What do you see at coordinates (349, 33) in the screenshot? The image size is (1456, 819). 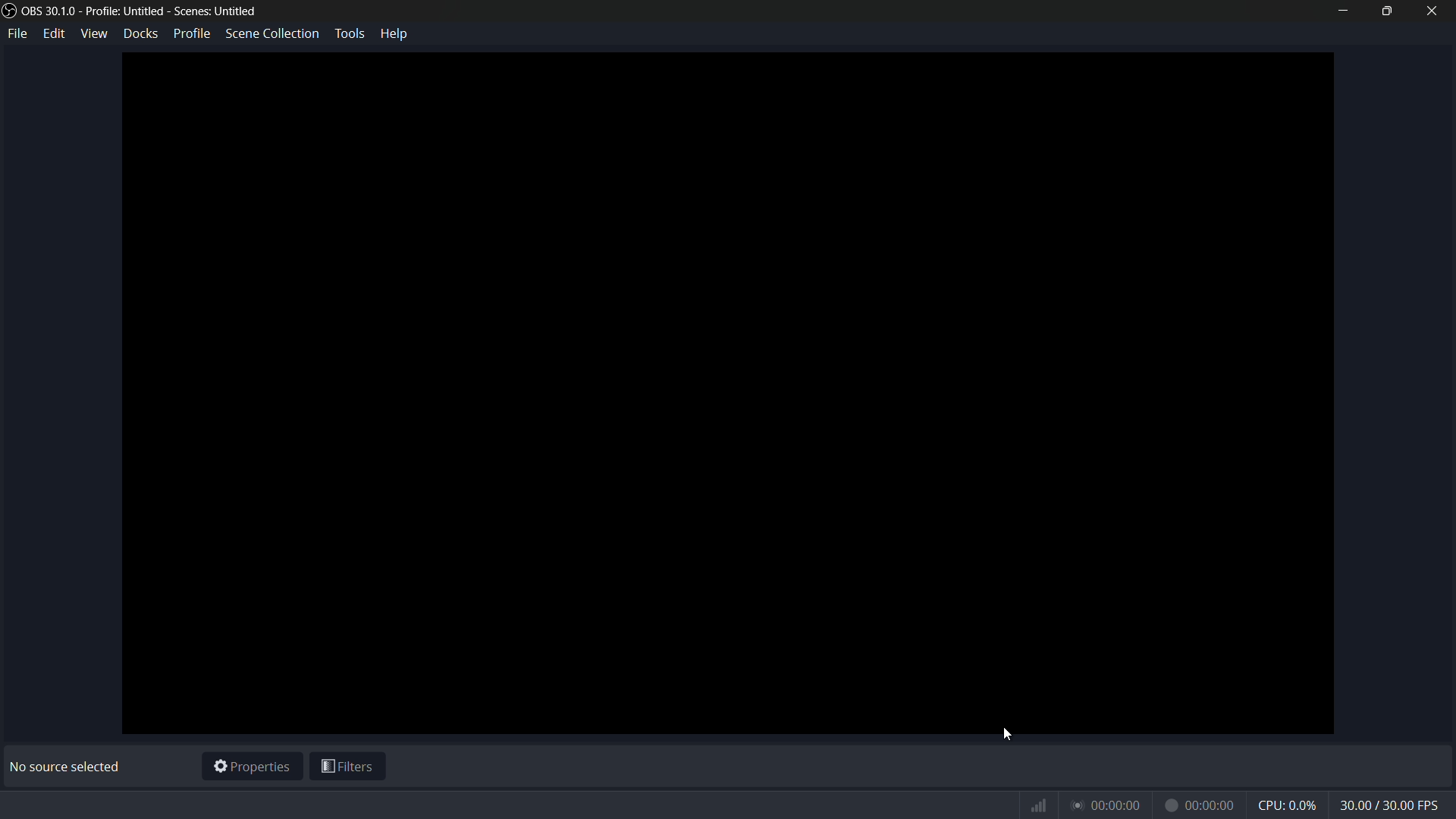 I see `tools menu` at bounding box center [349, 33].